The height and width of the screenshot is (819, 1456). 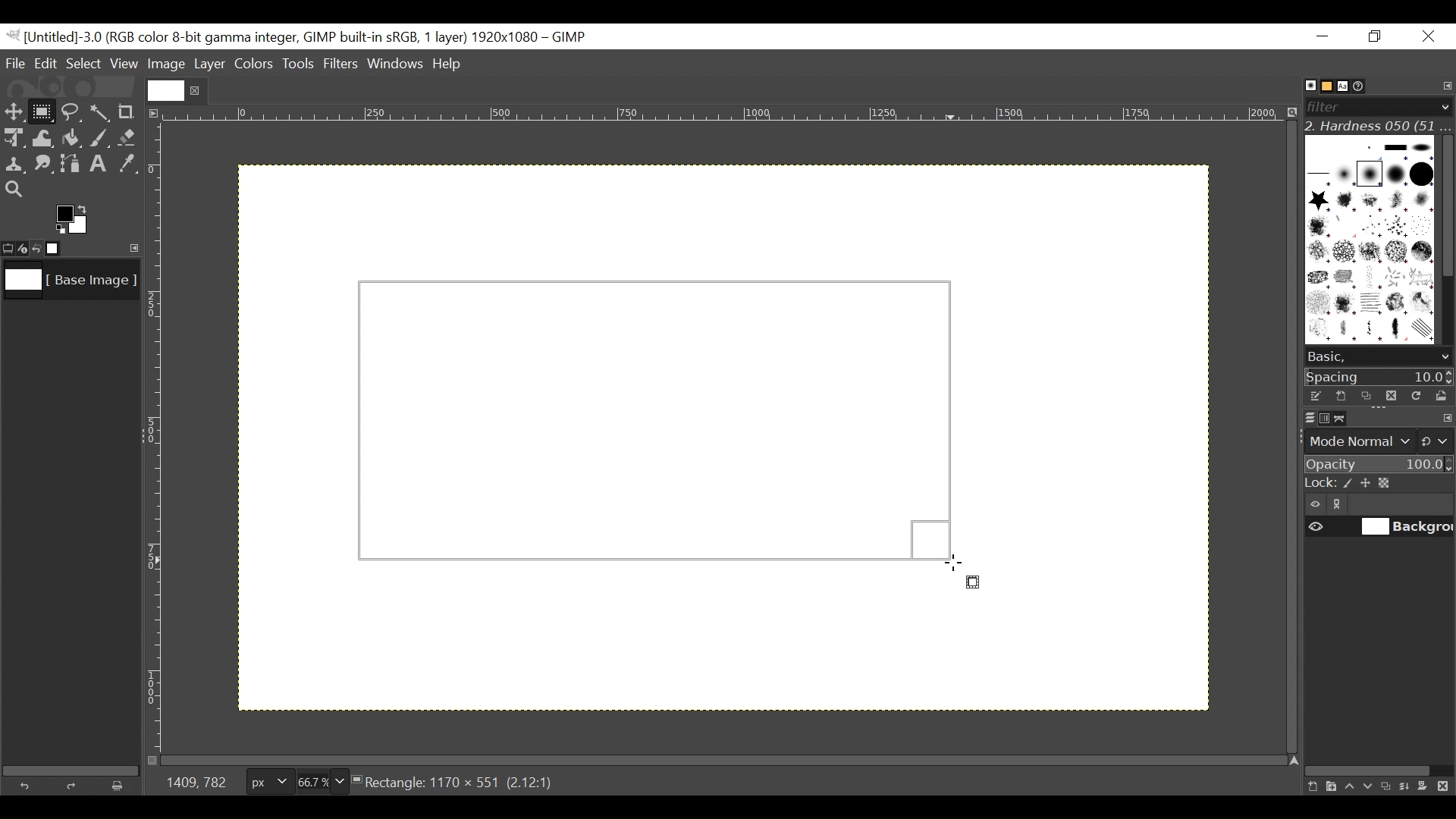 I want to click on Undo, so click(x=28, y=784).